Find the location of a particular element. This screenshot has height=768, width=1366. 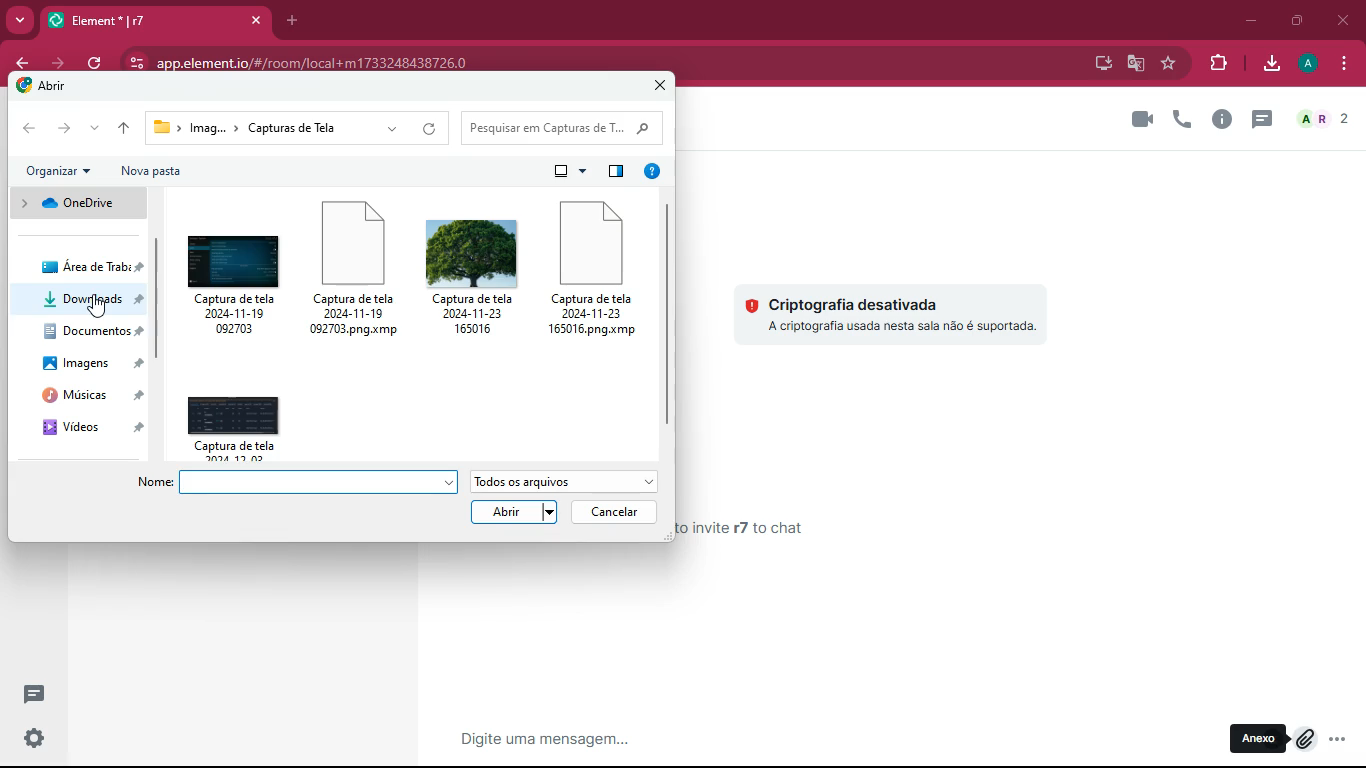

up is located at coordinates (126, 128).